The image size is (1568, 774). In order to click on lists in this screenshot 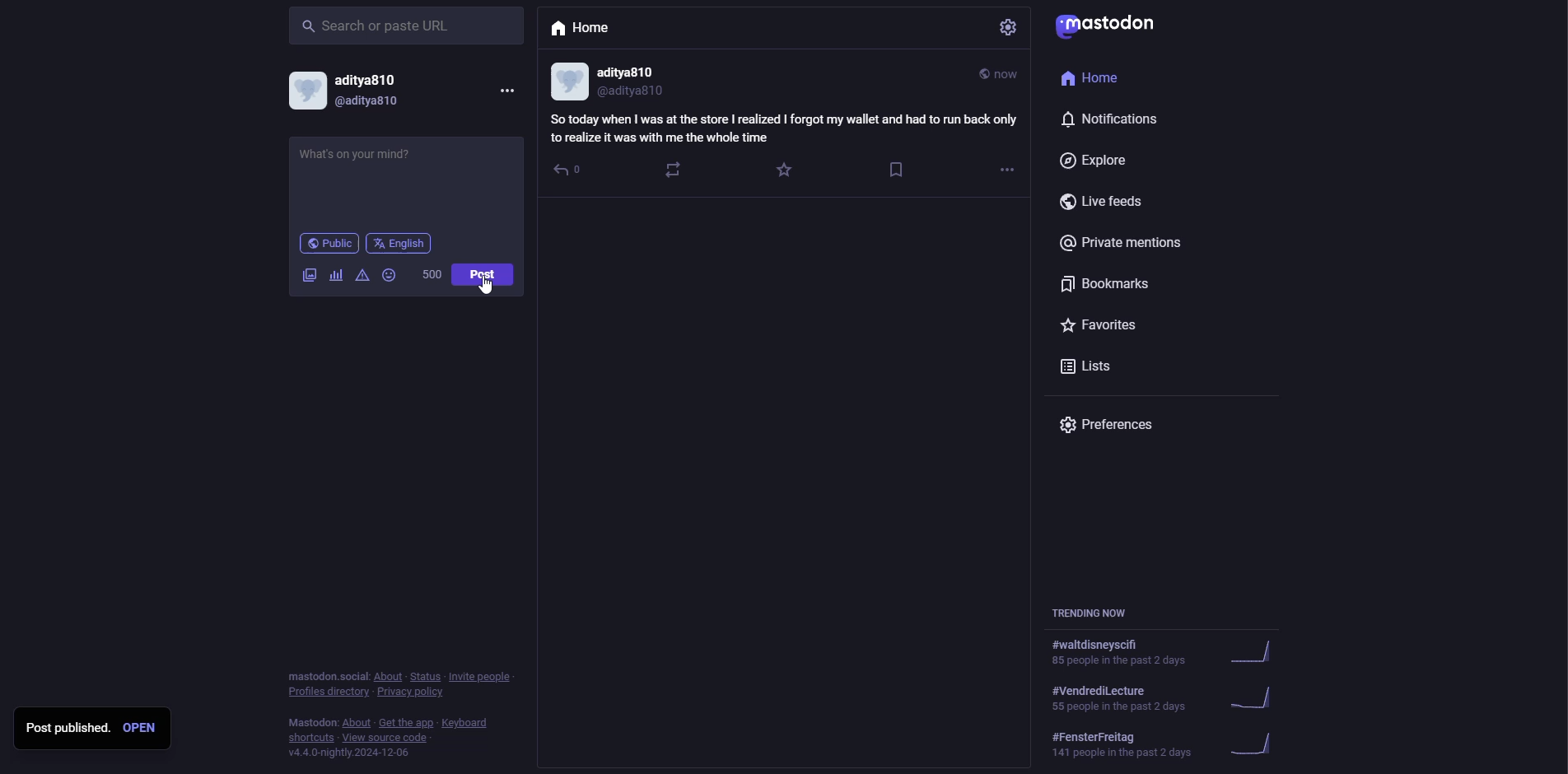, I will do `click(1090, 370)`.